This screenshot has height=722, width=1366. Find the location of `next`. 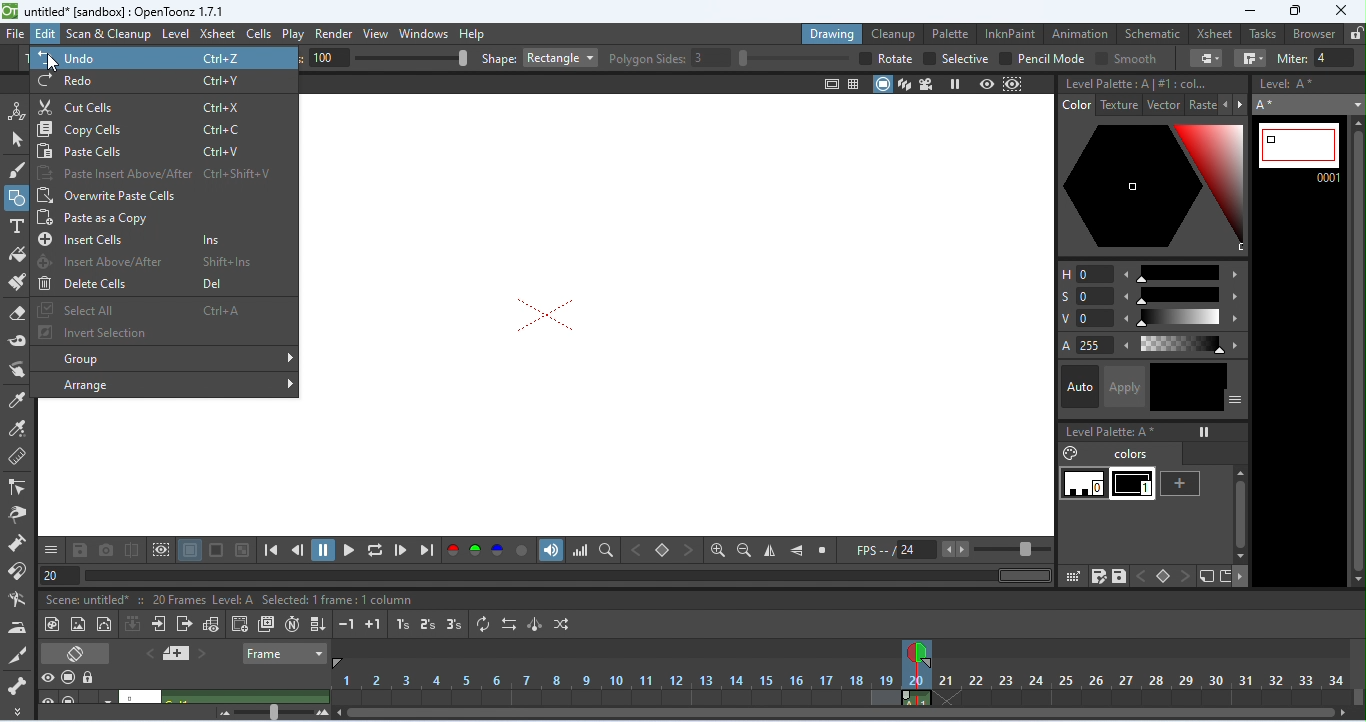

next is located at coordinates (1245, 105).